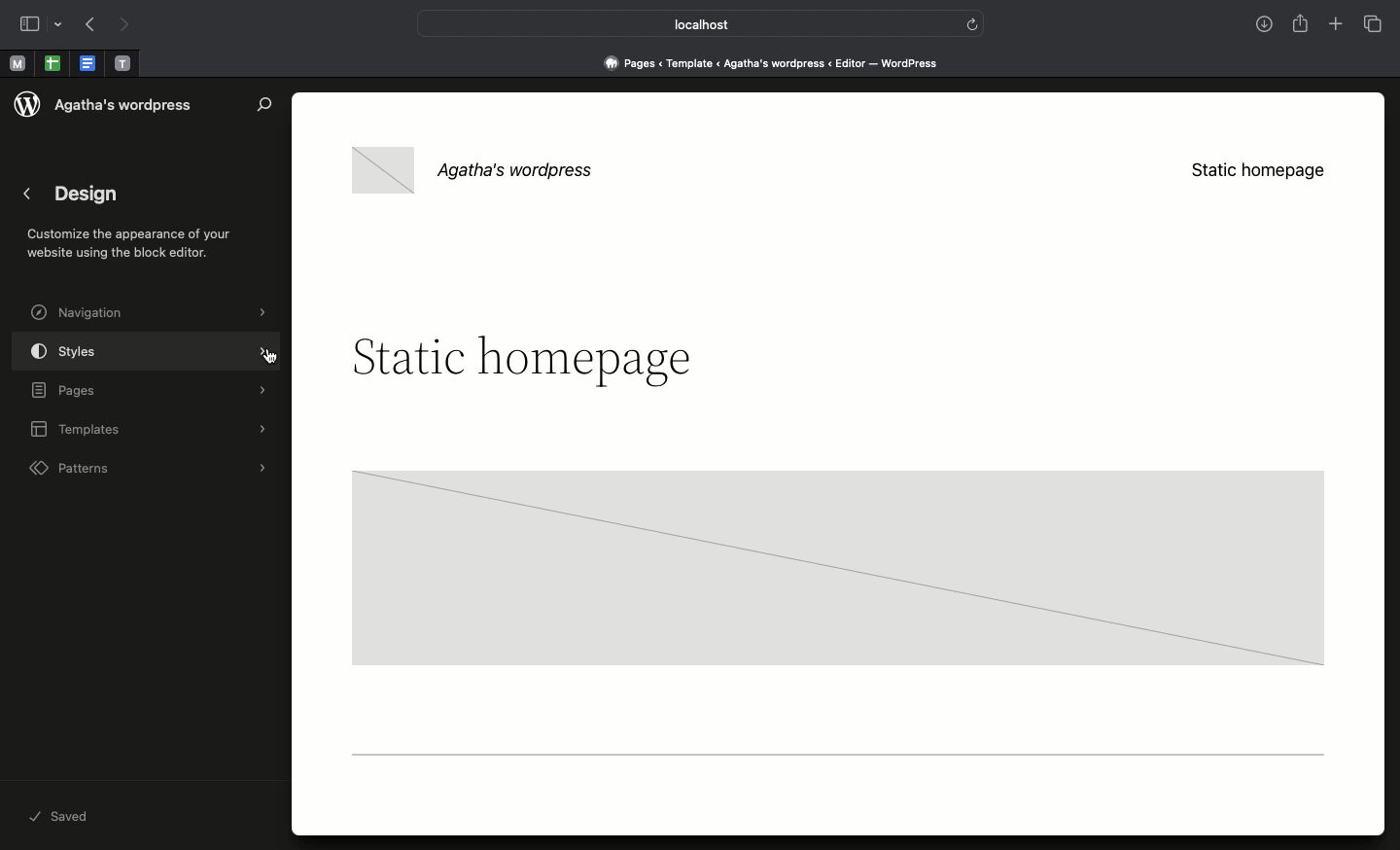 The height and width of the screenshot is (850, 1400). I want to click on Sidebar, so click(29, 24).